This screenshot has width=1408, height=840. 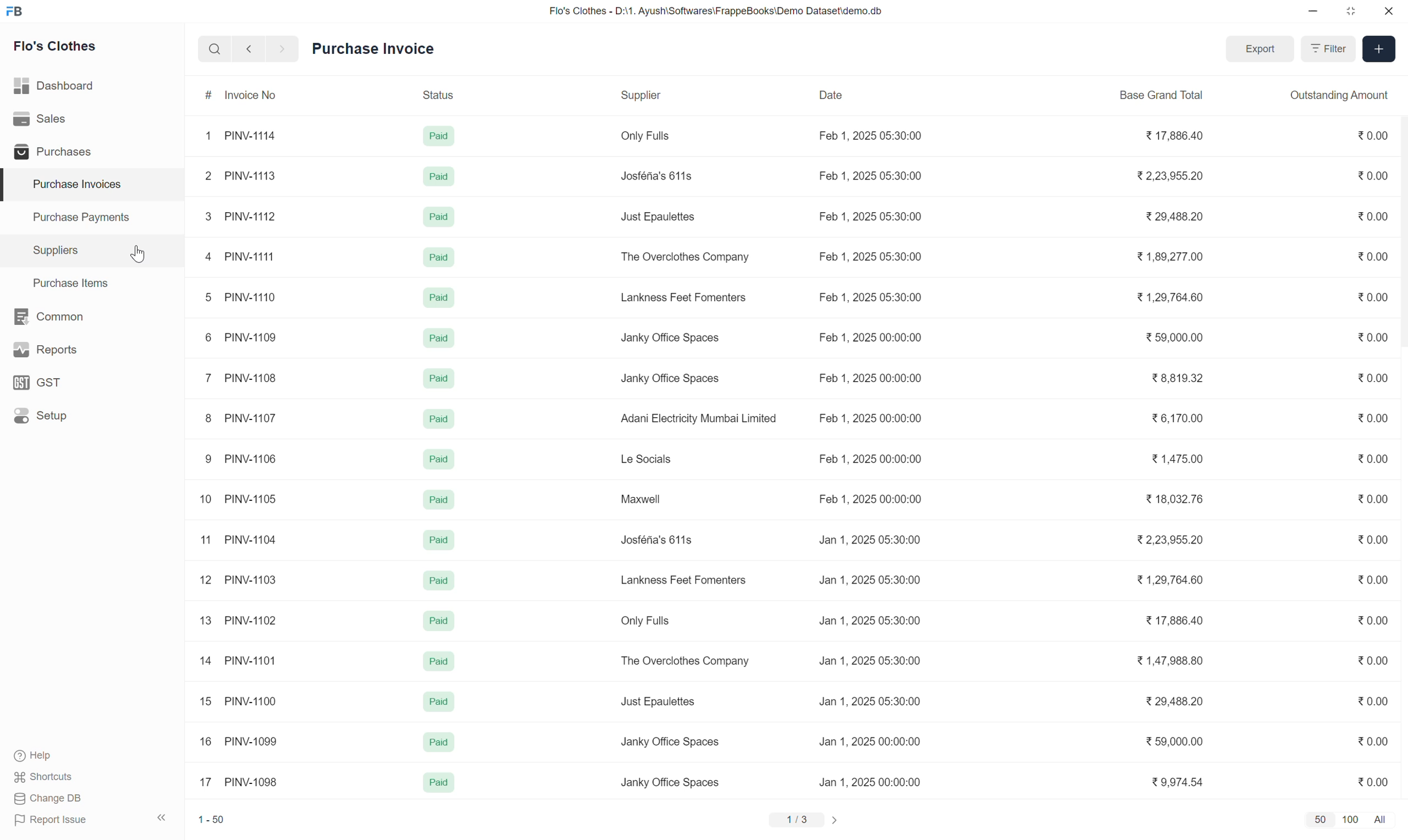 I want to click on paid, so click(x=439, y=661).